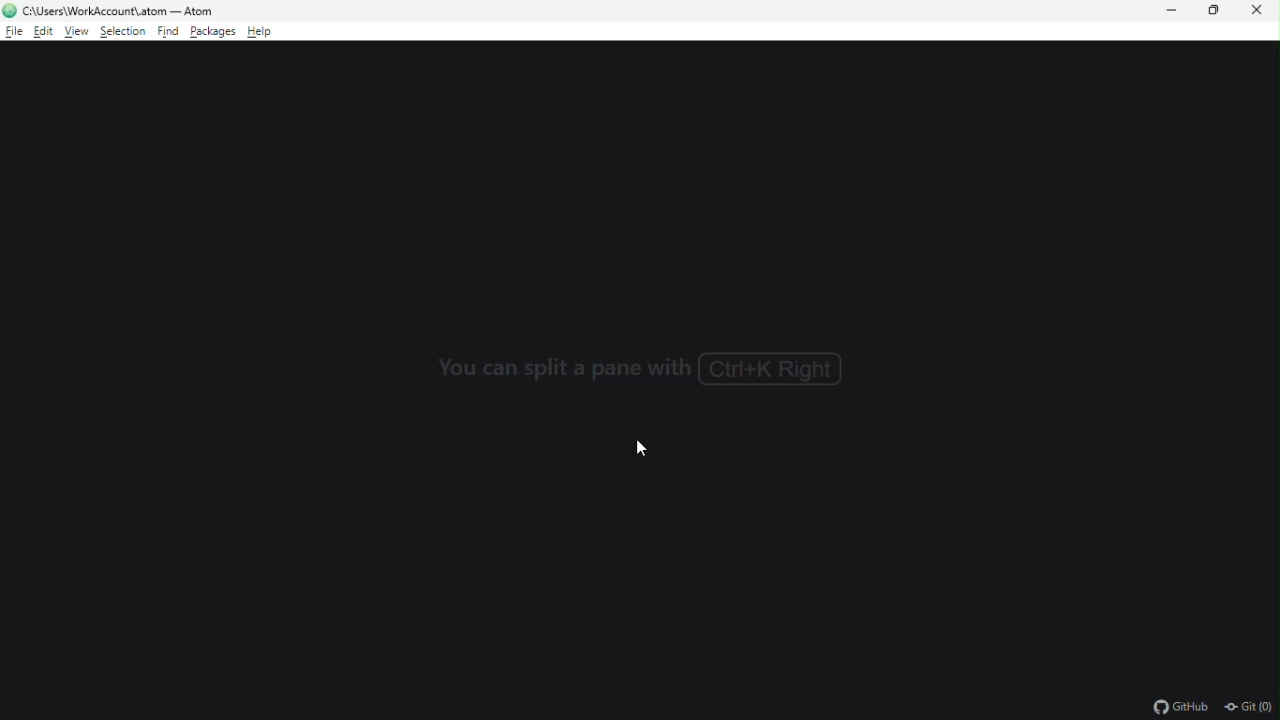 Image resolution: width=1280 pixels, height=720 pixels. I want to click on edit, so click(44, 33).